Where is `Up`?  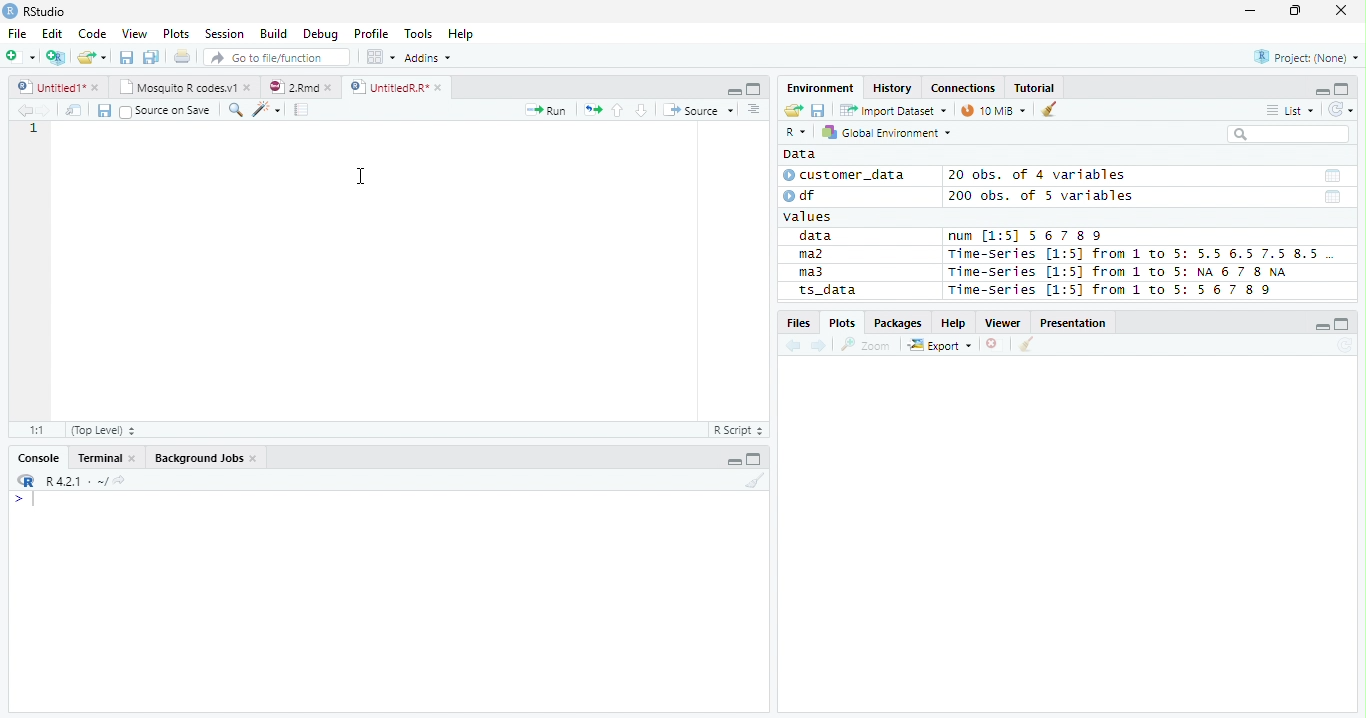 Up is located at coordinates (617, 111).